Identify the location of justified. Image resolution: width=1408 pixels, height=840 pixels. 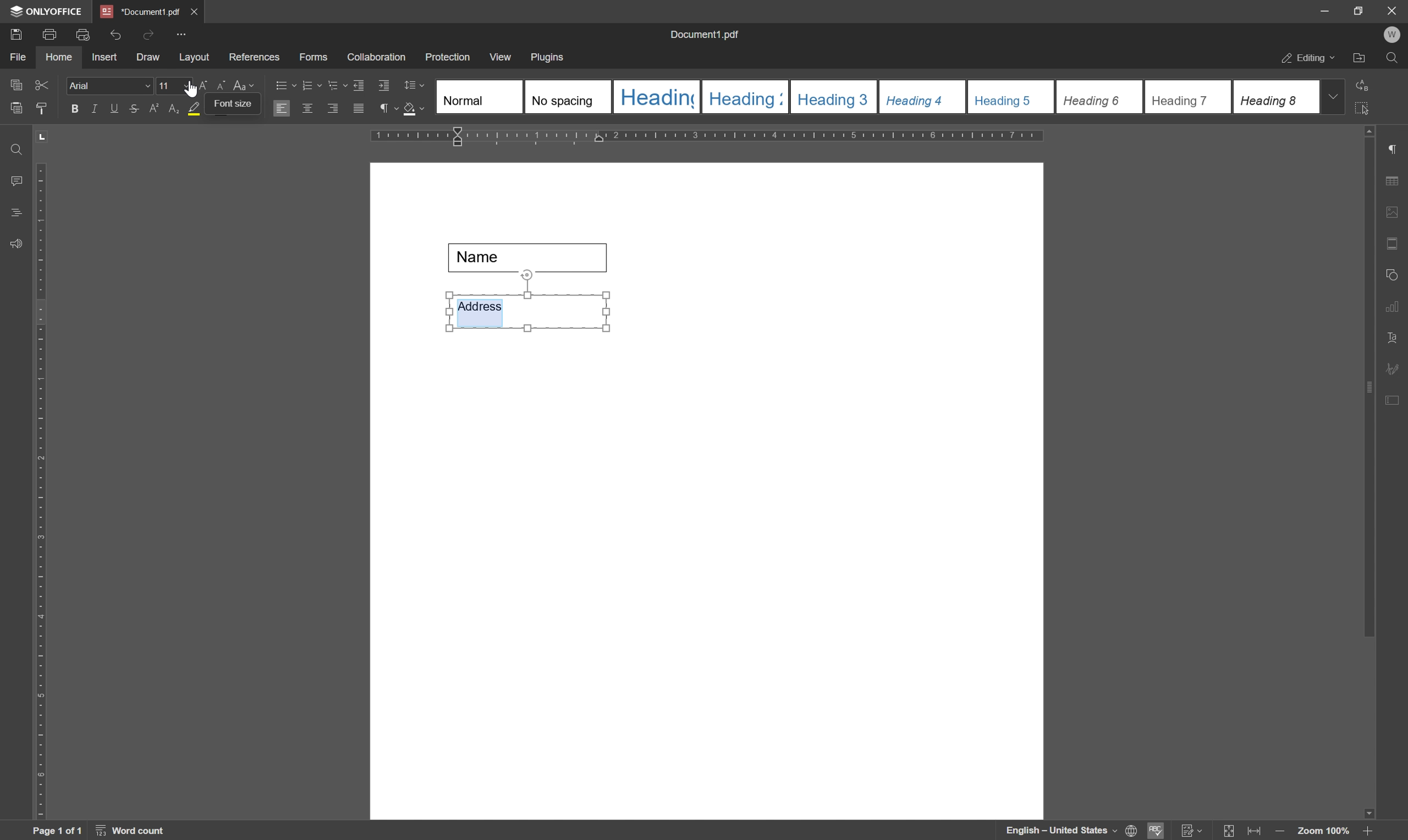
(357, 109).